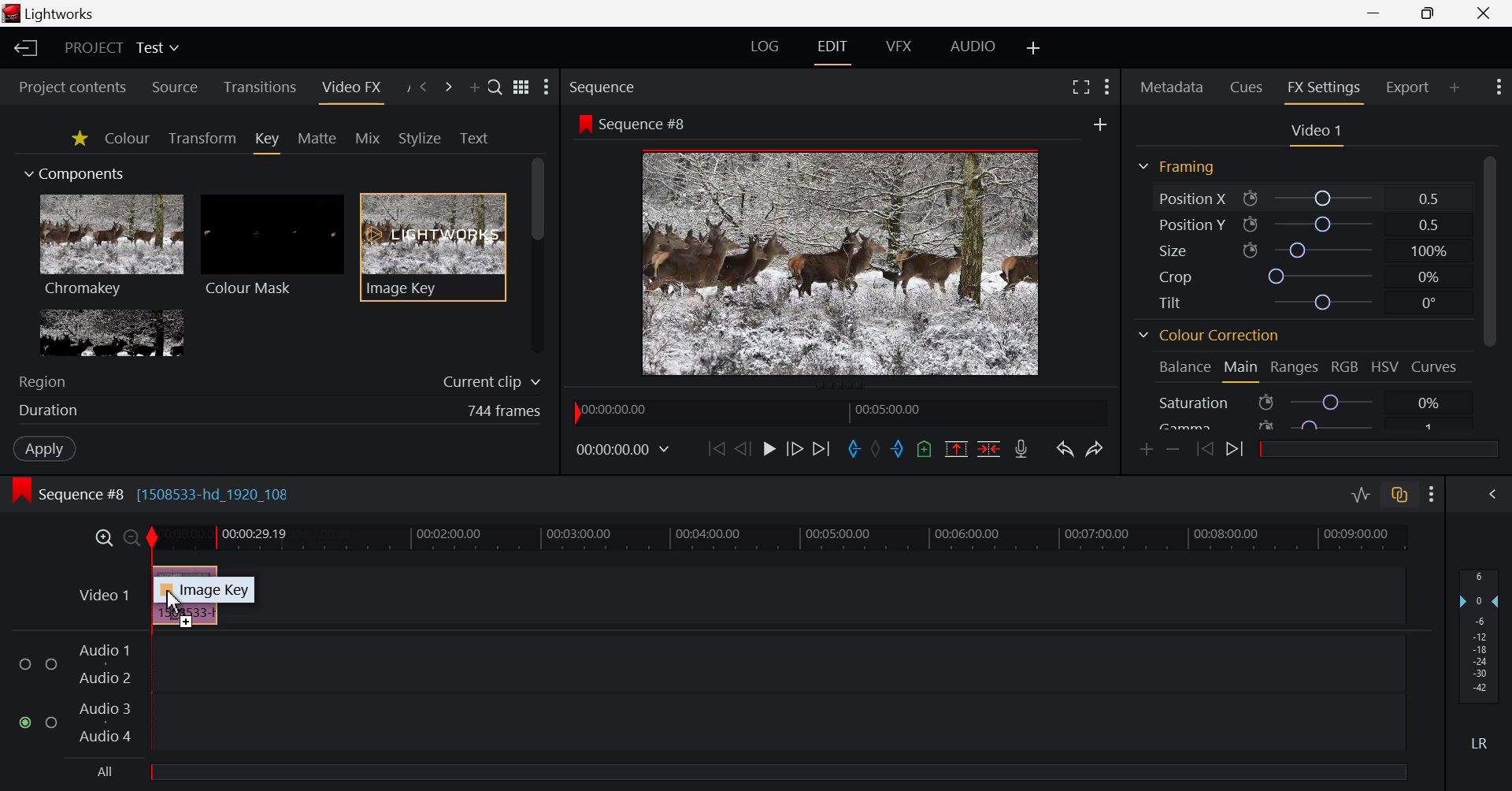  Describe the element at coordinates (879, 450) in the screenshot. I see `Remove all marks` at that location.